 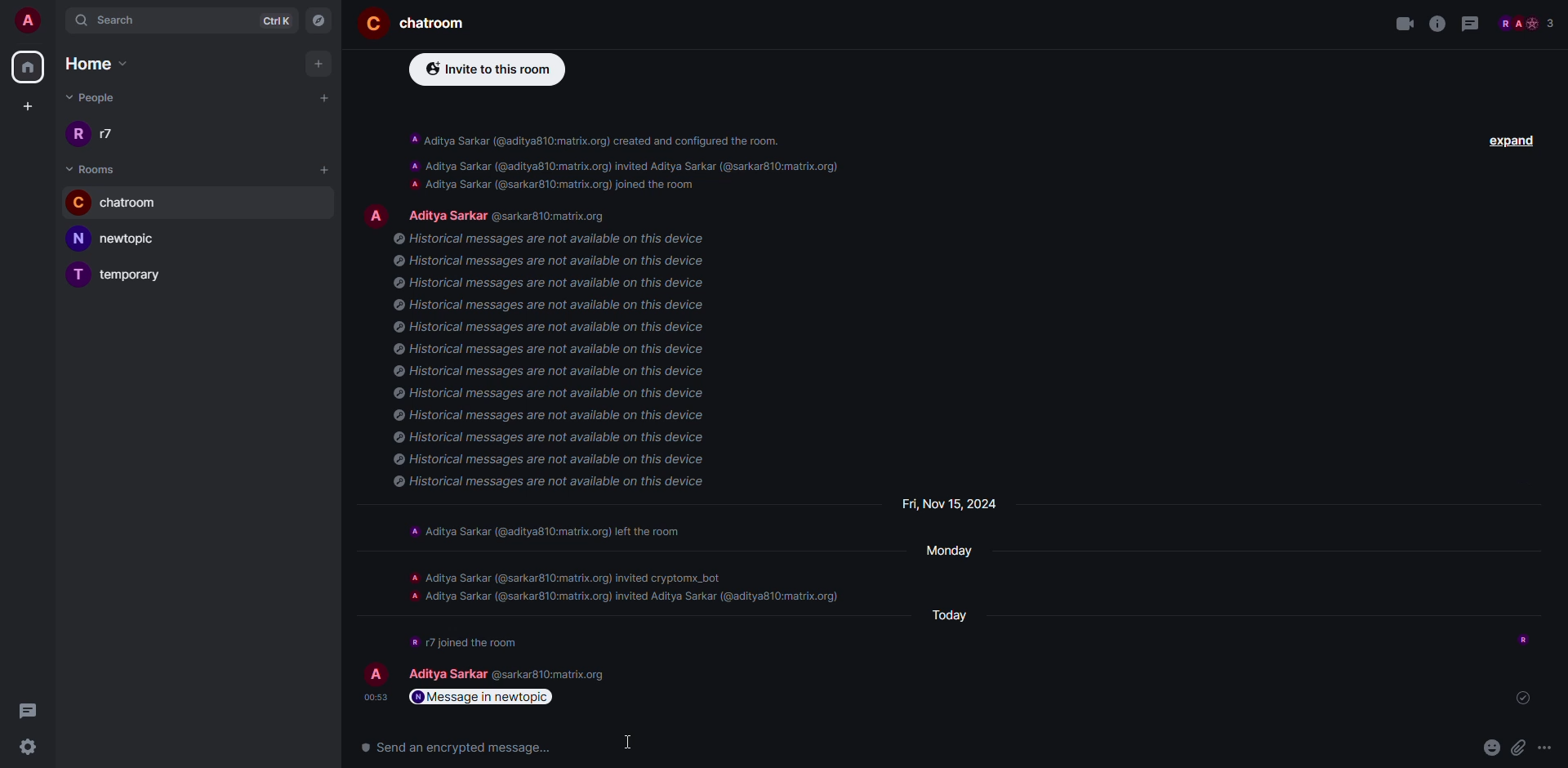 I want to click on time, so click(x=372, y=696).